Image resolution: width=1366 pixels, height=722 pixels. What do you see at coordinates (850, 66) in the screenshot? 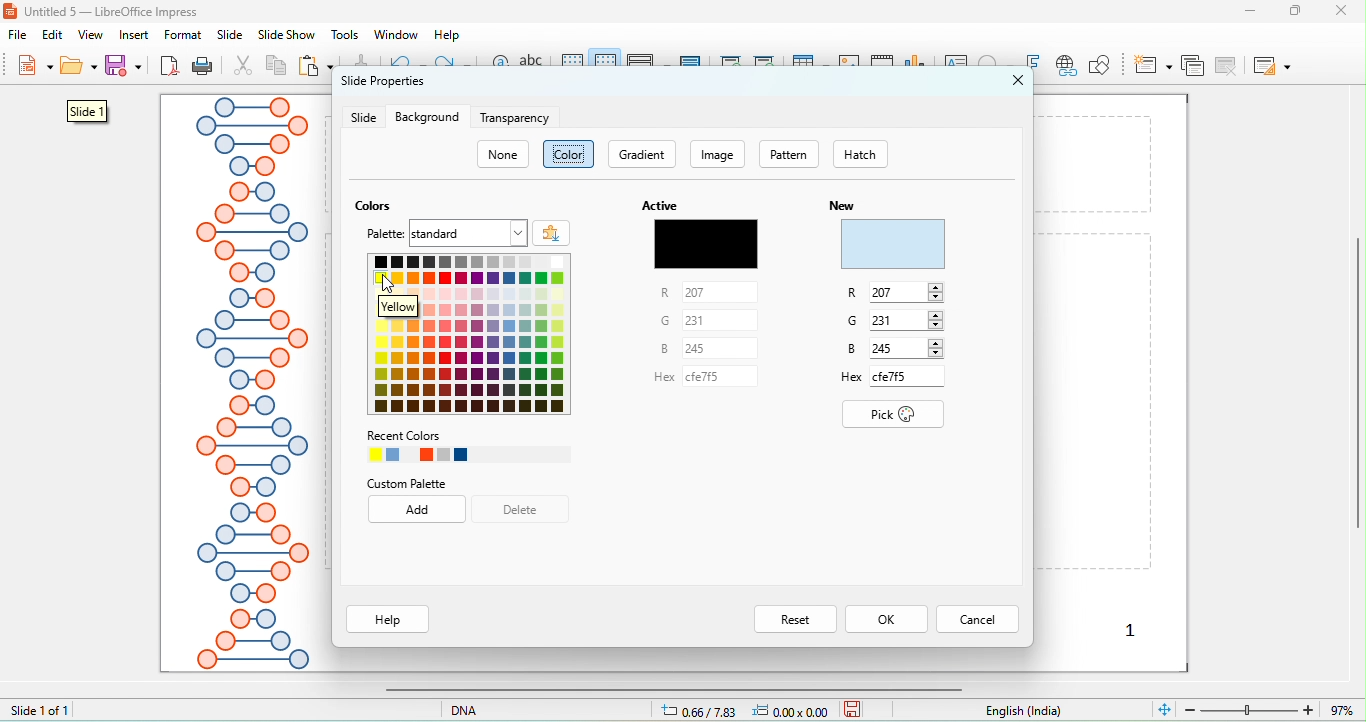
I see `chart` at bounding box center [850, 66].